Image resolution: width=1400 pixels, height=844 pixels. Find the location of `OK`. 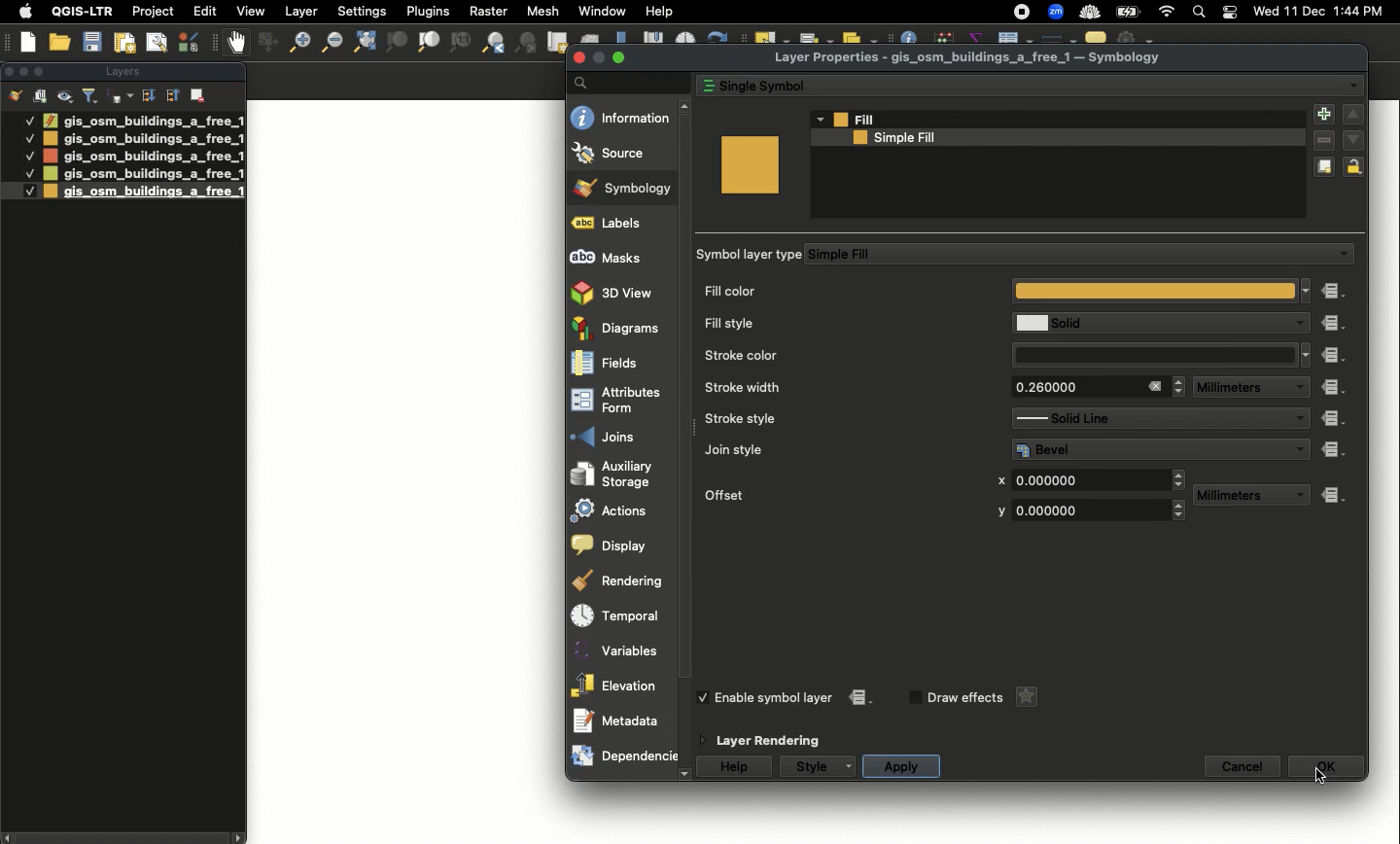

OK is located at coordinates (1326, 766).